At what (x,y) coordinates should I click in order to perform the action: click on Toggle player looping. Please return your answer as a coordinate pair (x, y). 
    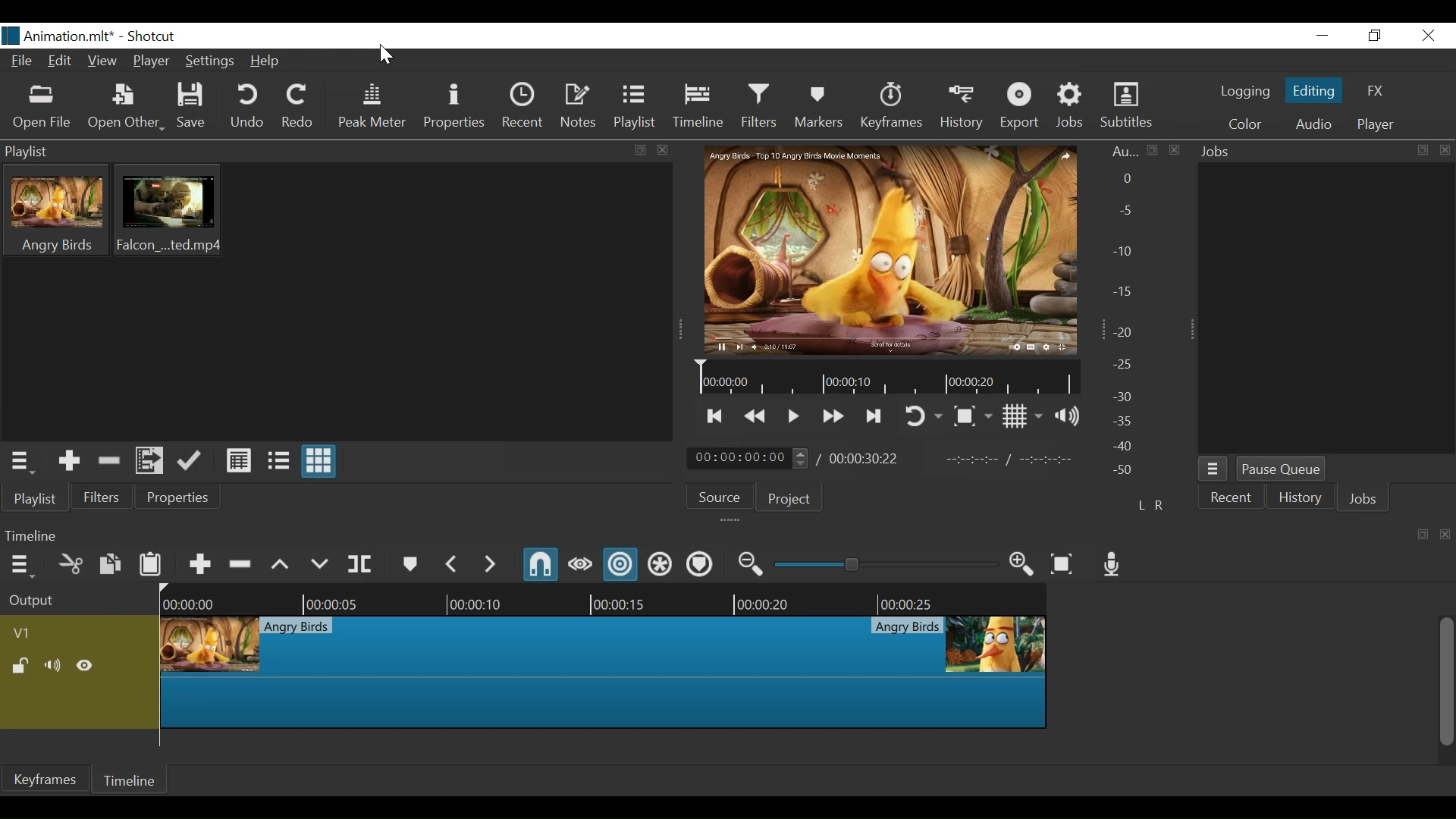
    Looking at the image, I should click on (922, 418).